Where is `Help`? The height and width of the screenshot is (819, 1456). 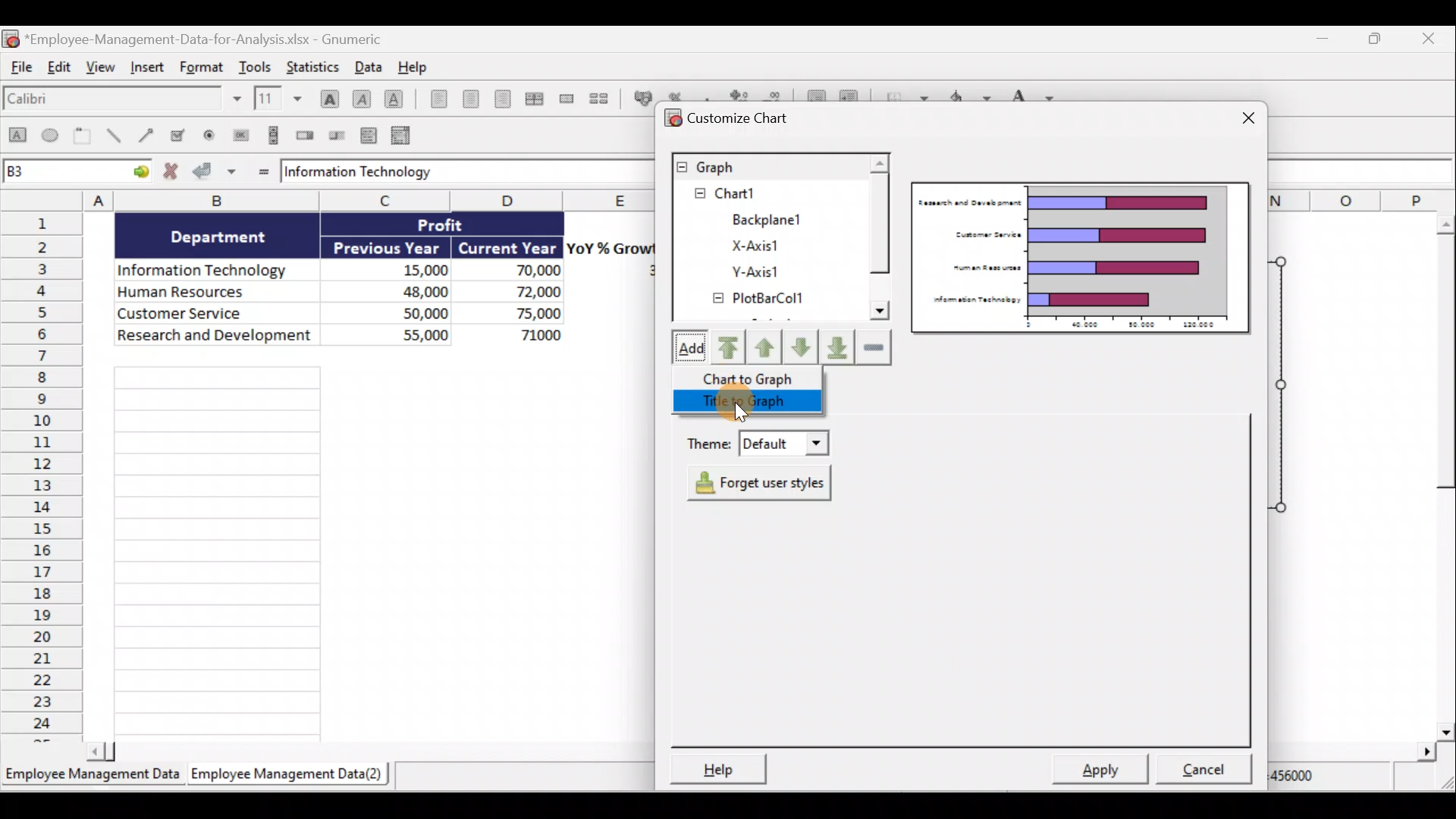
Help is located at coordinates (725, 767).